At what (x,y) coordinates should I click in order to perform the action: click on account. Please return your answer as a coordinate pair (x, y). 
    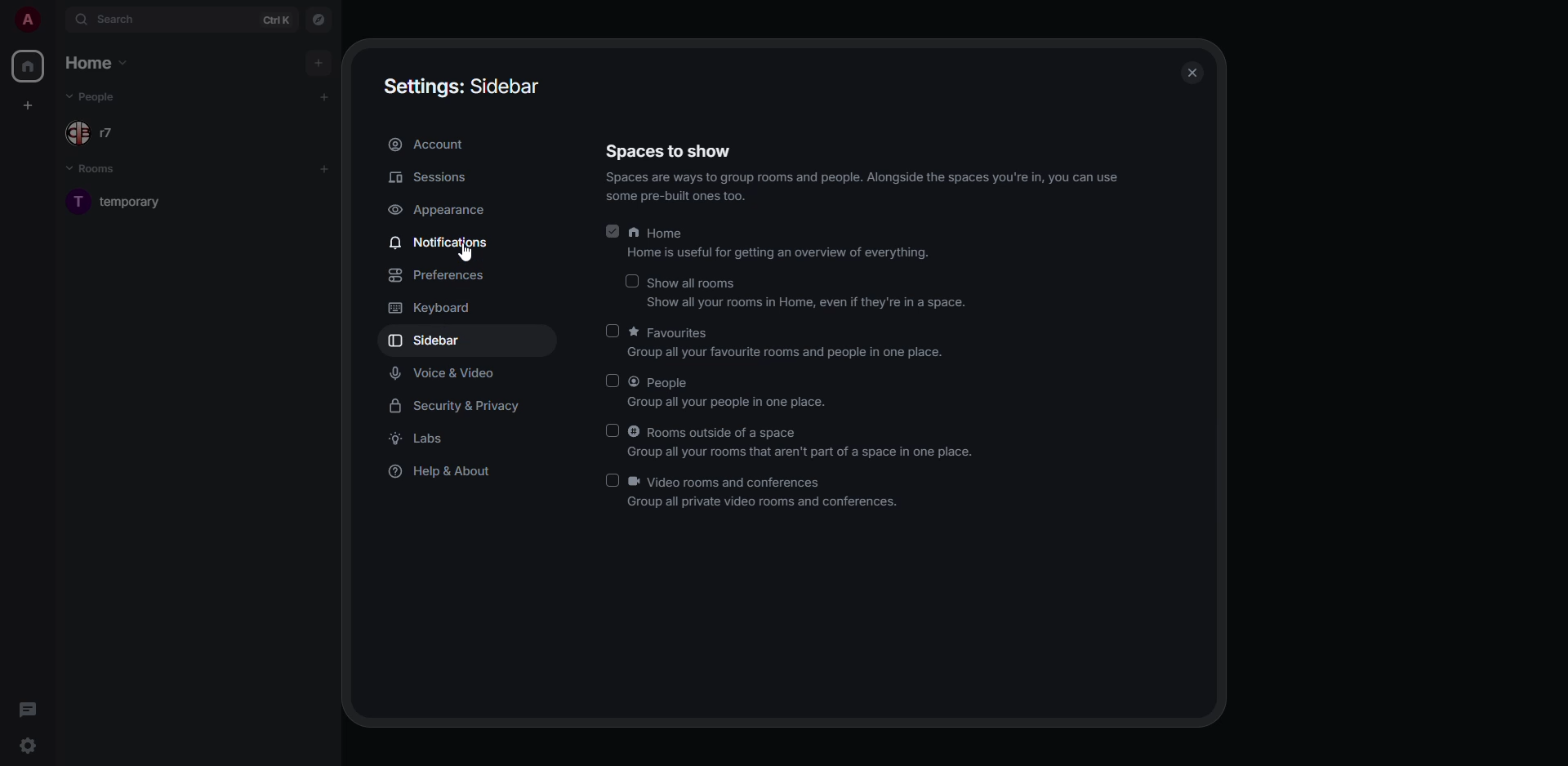
    Looking at the image, I should click on (432, 145).